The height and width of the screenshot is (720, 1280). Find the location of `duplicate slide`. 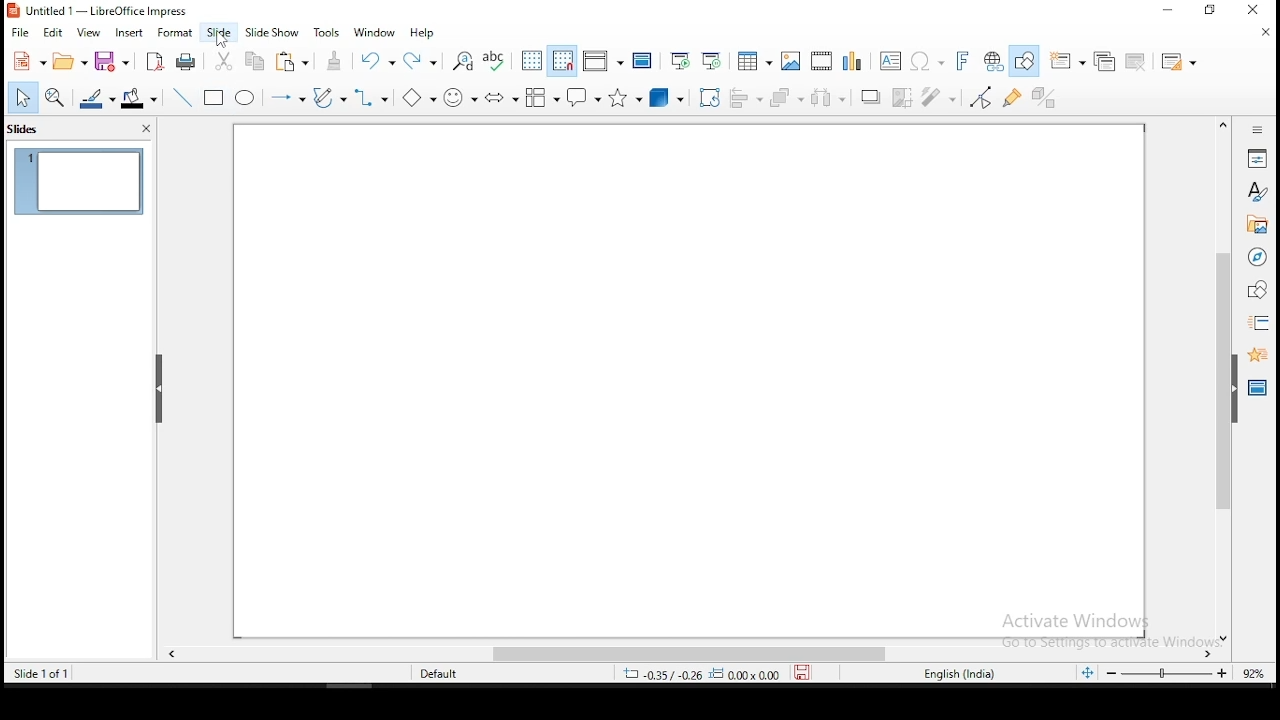

duplicate slide is located at coordinates (1103, 62).